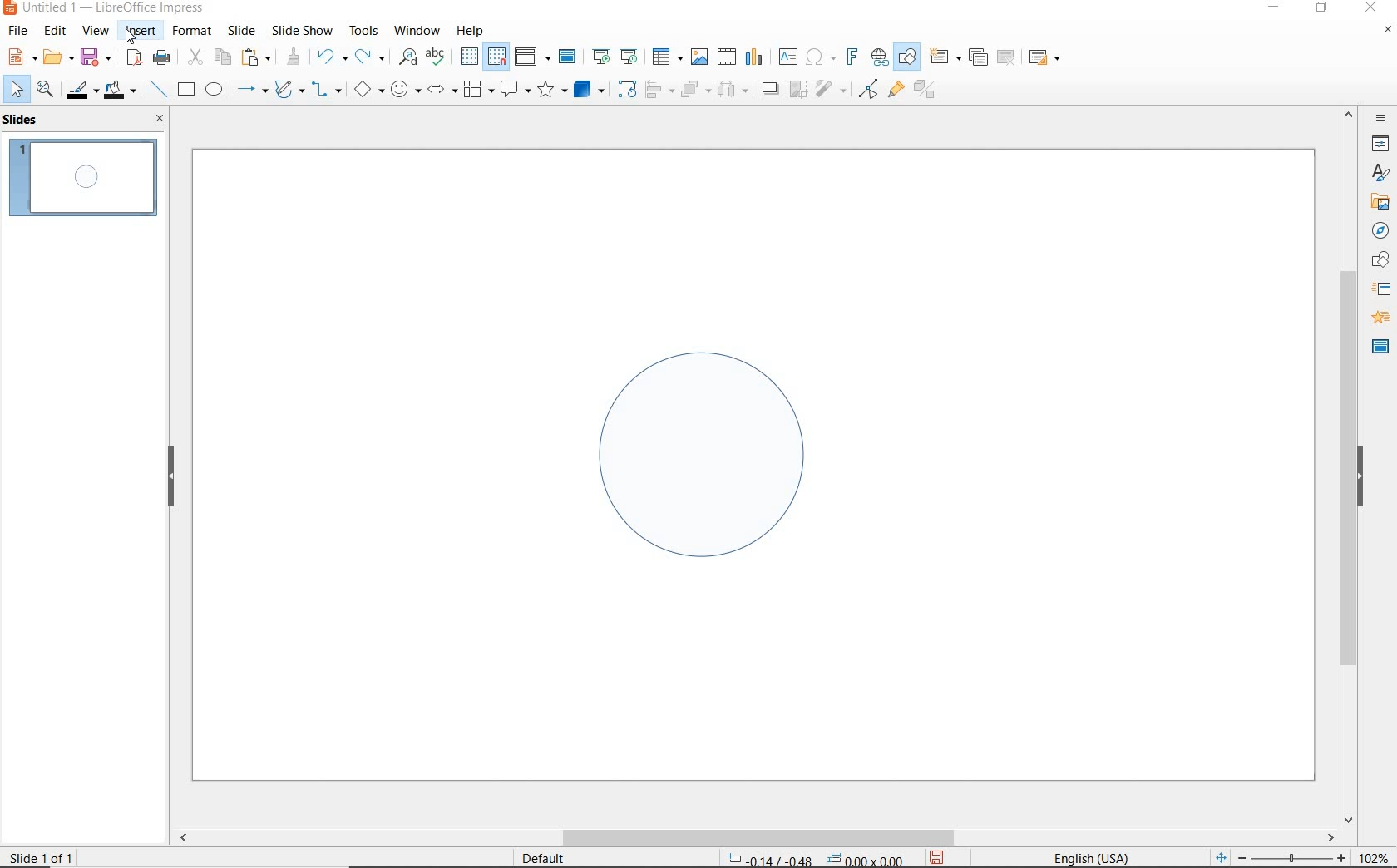  What do you see at coordinates (369, 57) in the screenshot?
I see `redo` at bounding box center [369, 57].